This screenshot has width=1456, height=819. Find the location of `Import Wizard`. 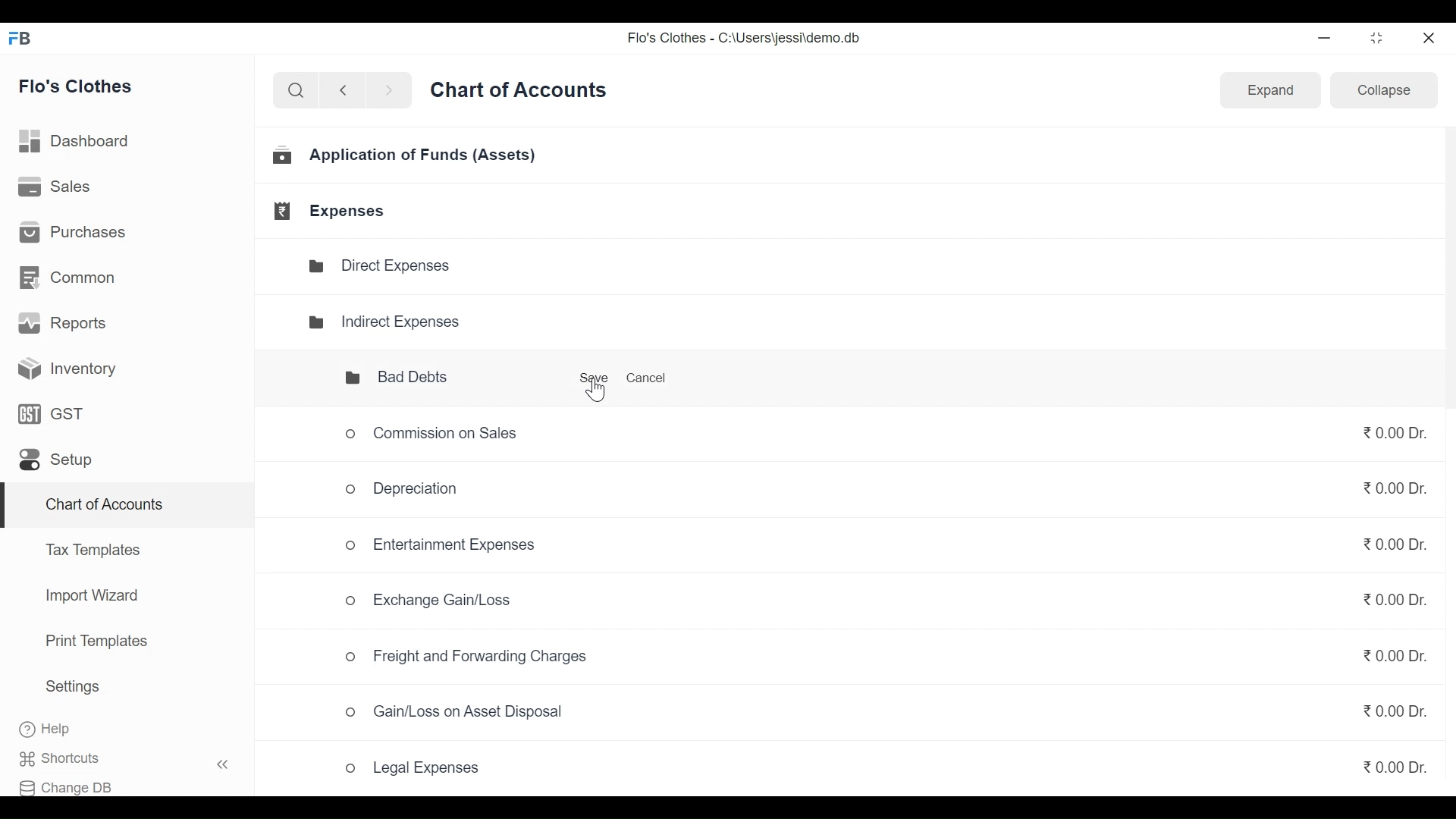

Import Wizard is located at coordinates (87, 598).